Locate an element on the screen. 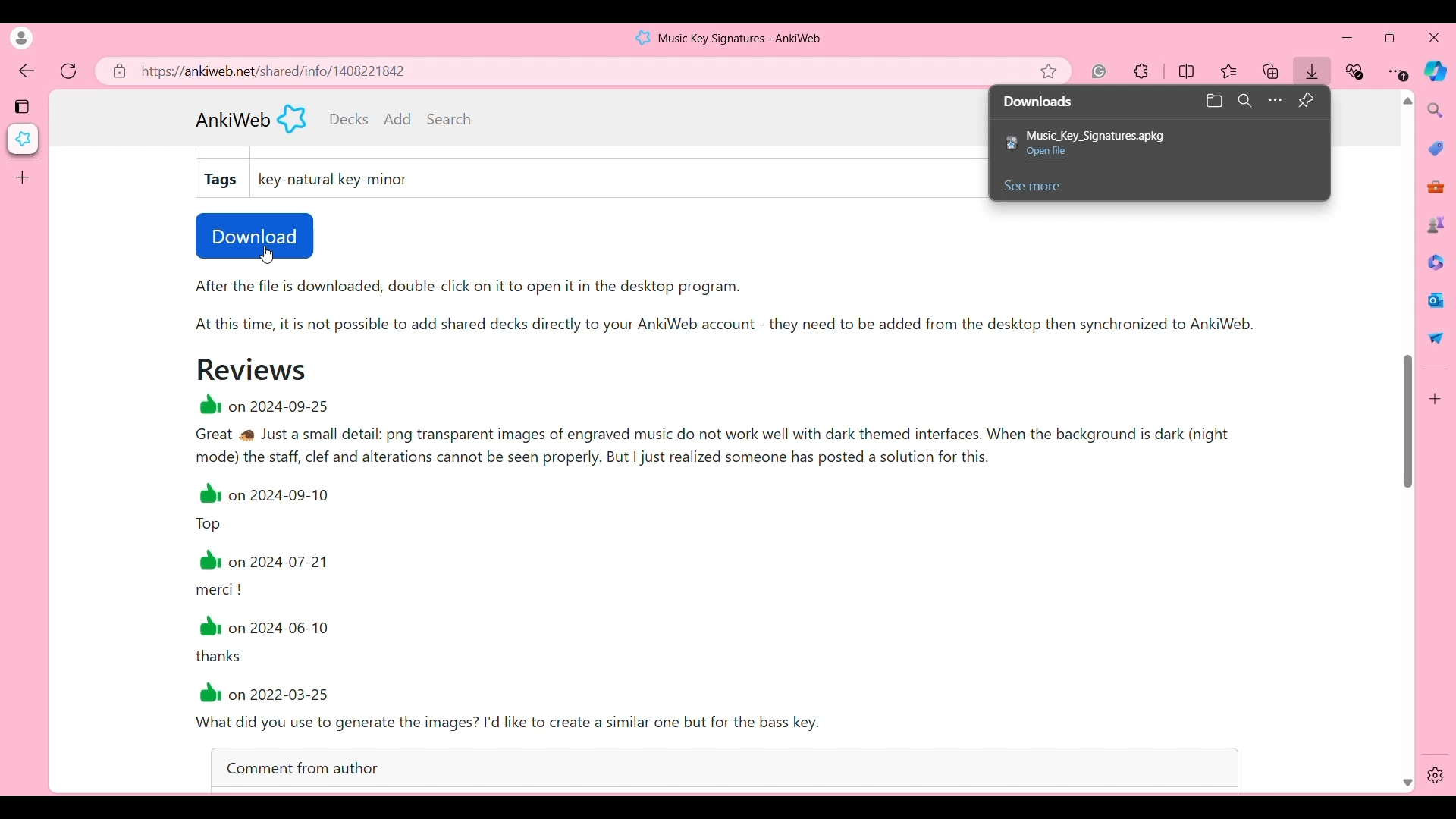 The height and width of the screenshot is (819, 1456). Download is located at coordinates (255, 236).